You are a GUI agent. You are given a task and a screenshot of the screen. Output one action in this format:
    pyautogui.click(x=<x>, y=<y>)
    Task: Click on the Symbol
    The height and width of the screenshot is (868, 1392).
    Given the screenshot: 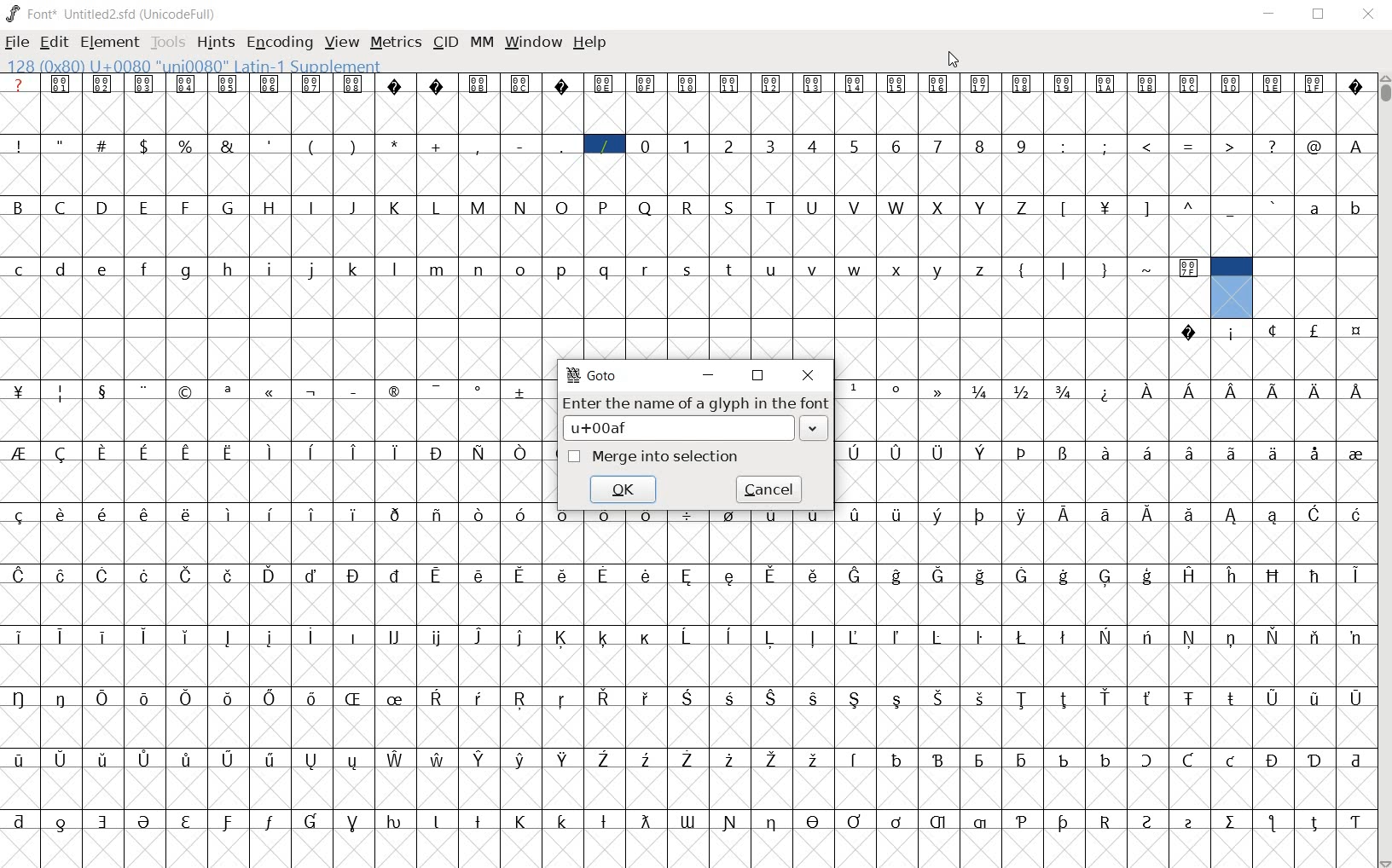 What is the action you would take?
    pyautogui.click(x=815, y=758)
    